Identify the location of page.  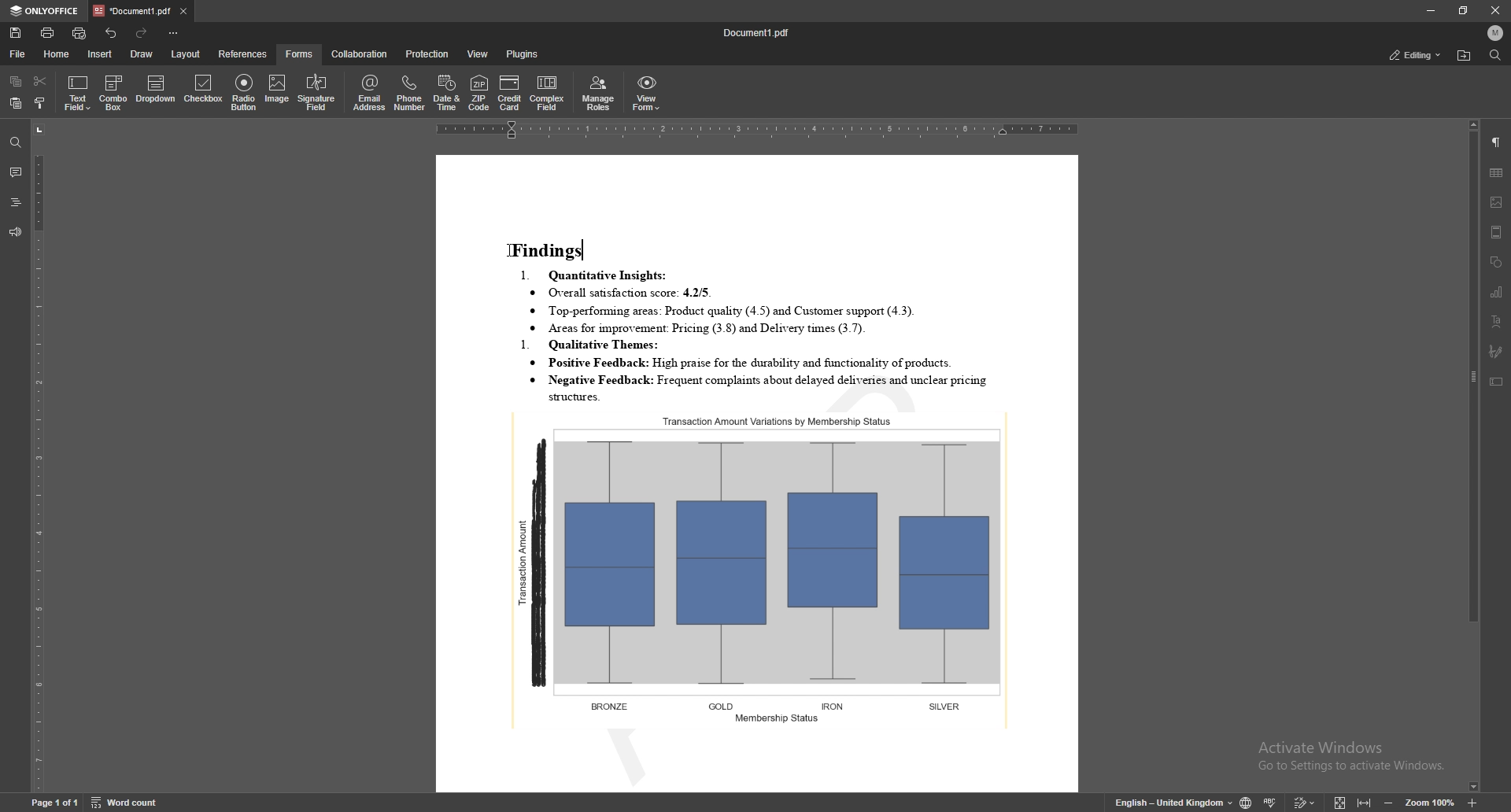
(55, 803).